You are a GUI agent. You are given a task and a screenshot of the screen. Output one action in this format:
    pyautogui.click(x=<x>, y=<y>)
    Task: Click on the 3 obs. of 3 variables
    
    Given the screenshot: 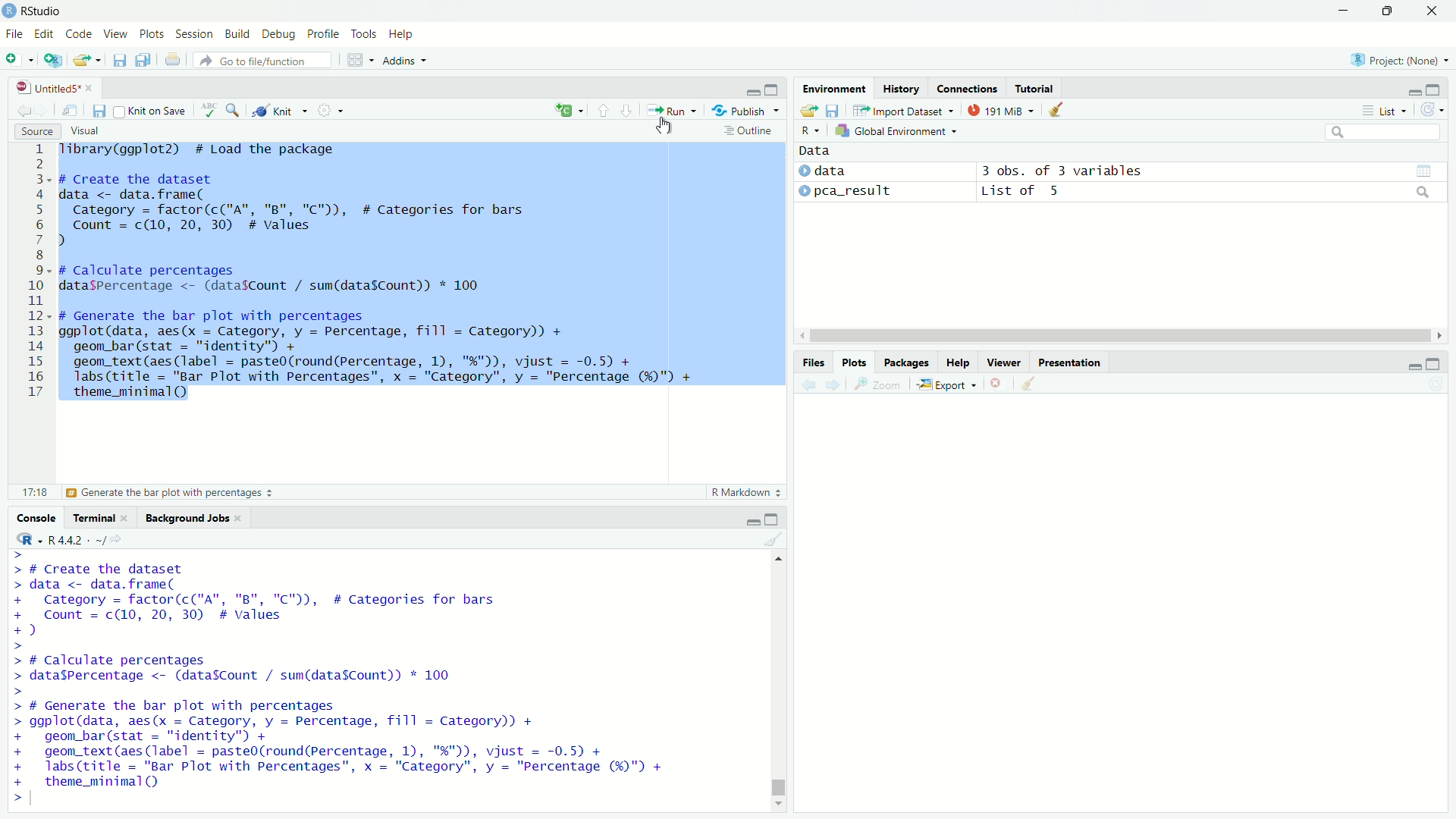 What is the action you would take?
    pyautogui.click(x=1211, y=171)
    